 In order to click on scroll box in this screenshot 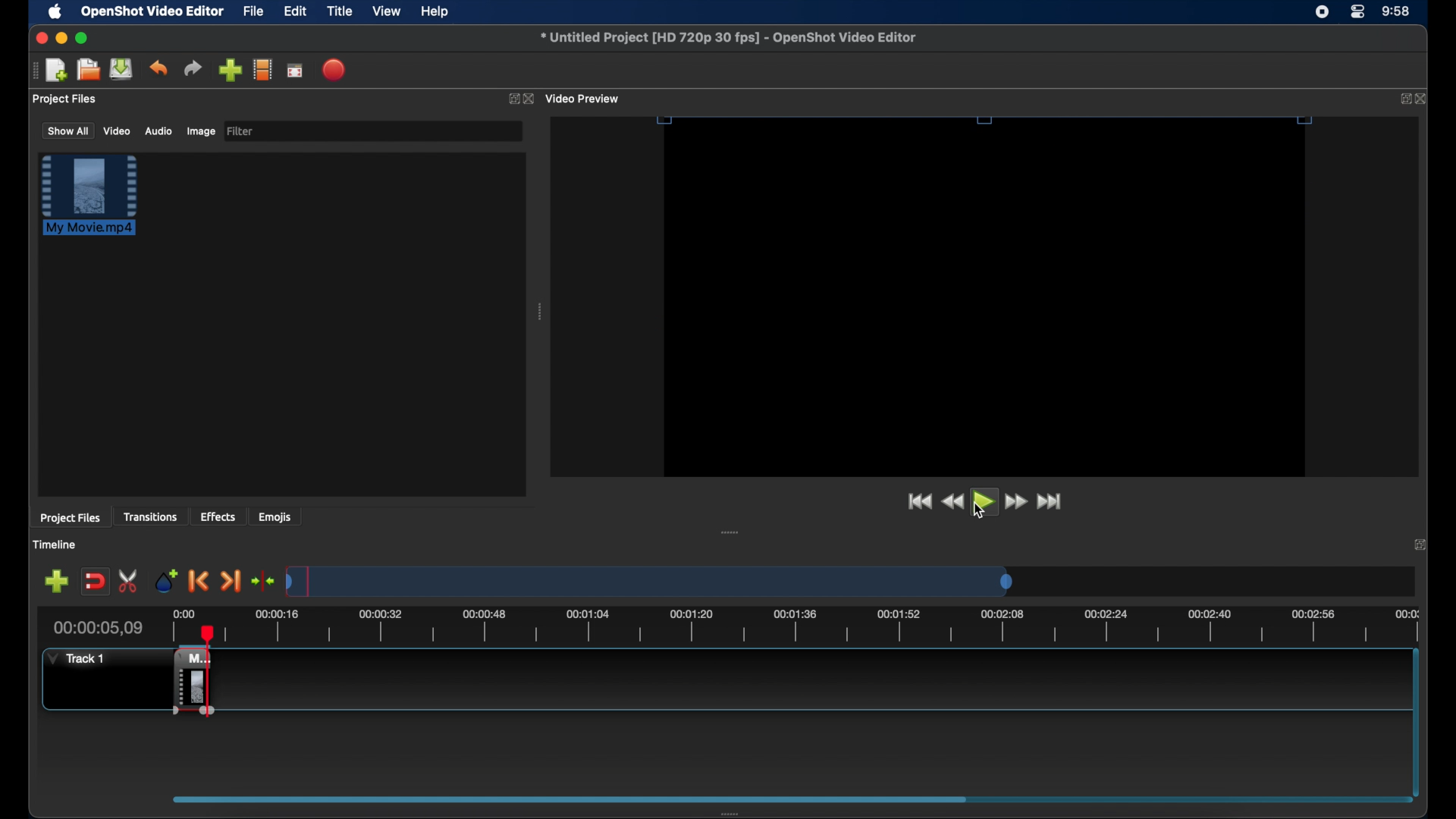, I will do `click(564, 799)`.